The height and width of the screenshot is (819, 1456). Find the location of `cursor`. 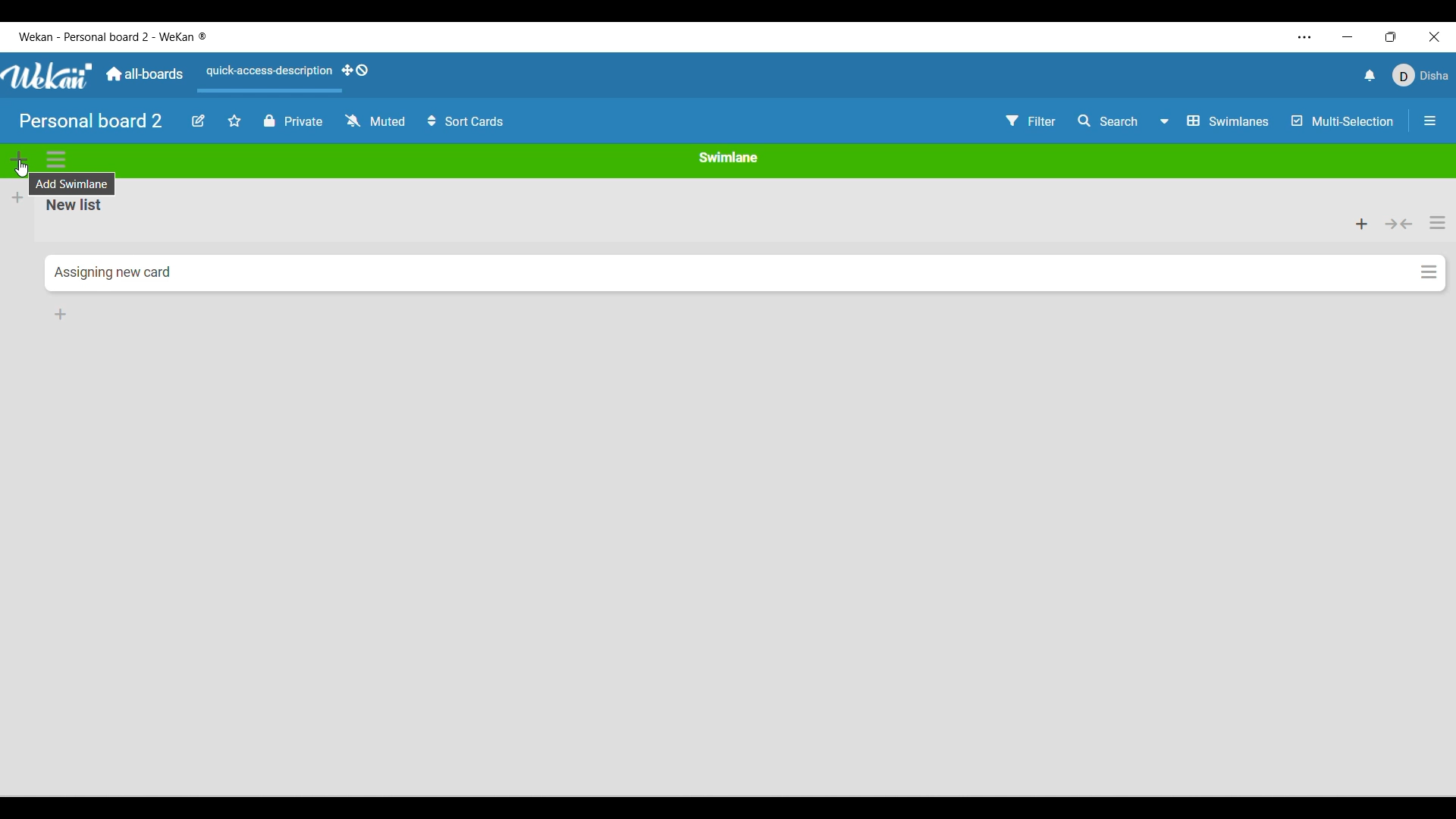

cursor is located at coordinates (24, 170).